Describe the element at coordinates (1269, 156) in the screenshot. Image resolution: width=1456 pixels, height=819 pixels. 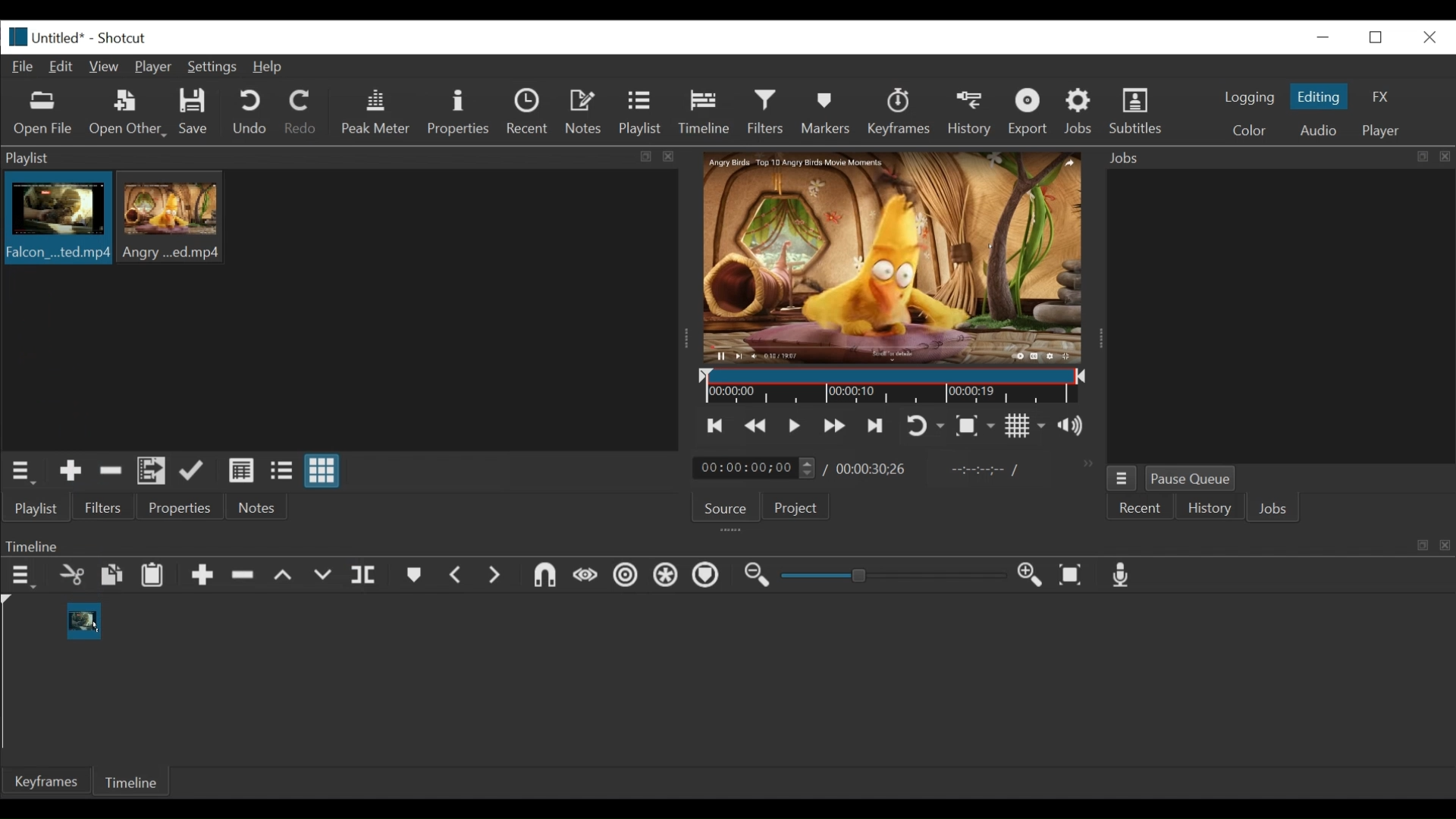
I see `Jobs menu` at that location.